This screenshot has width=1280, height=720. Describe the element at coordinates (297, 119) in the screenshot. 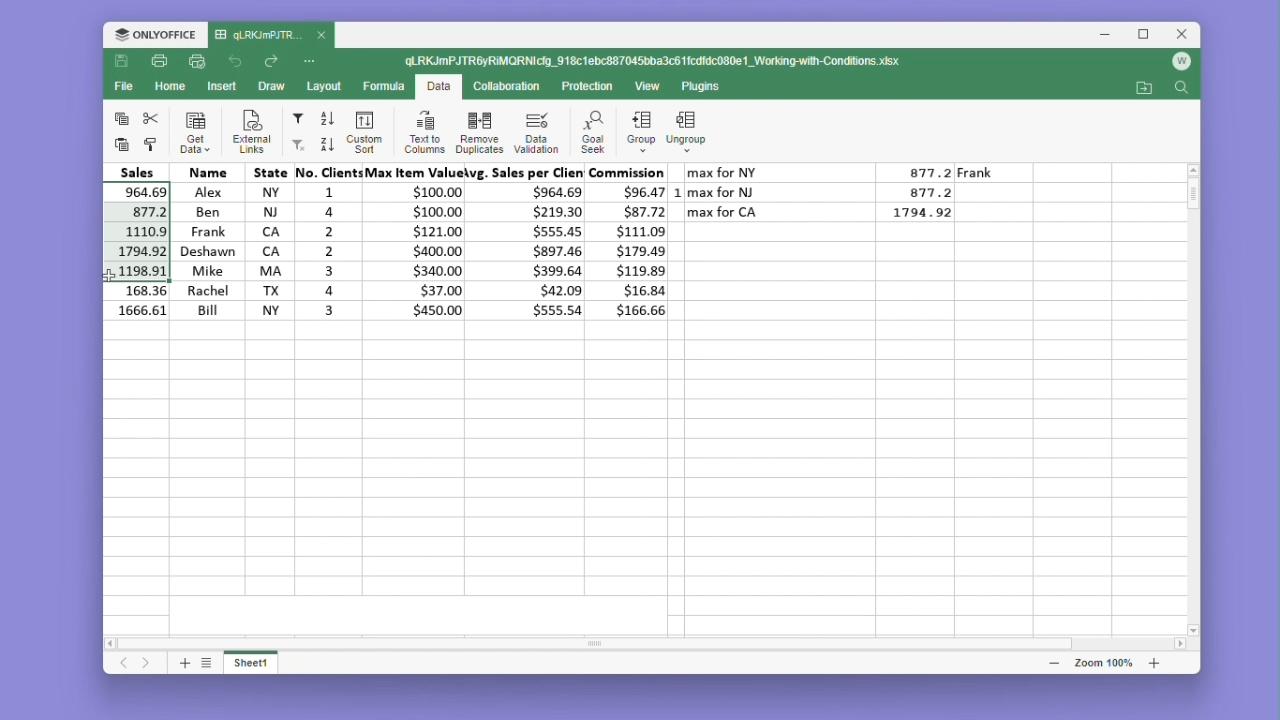

I see `Filter` at that location.